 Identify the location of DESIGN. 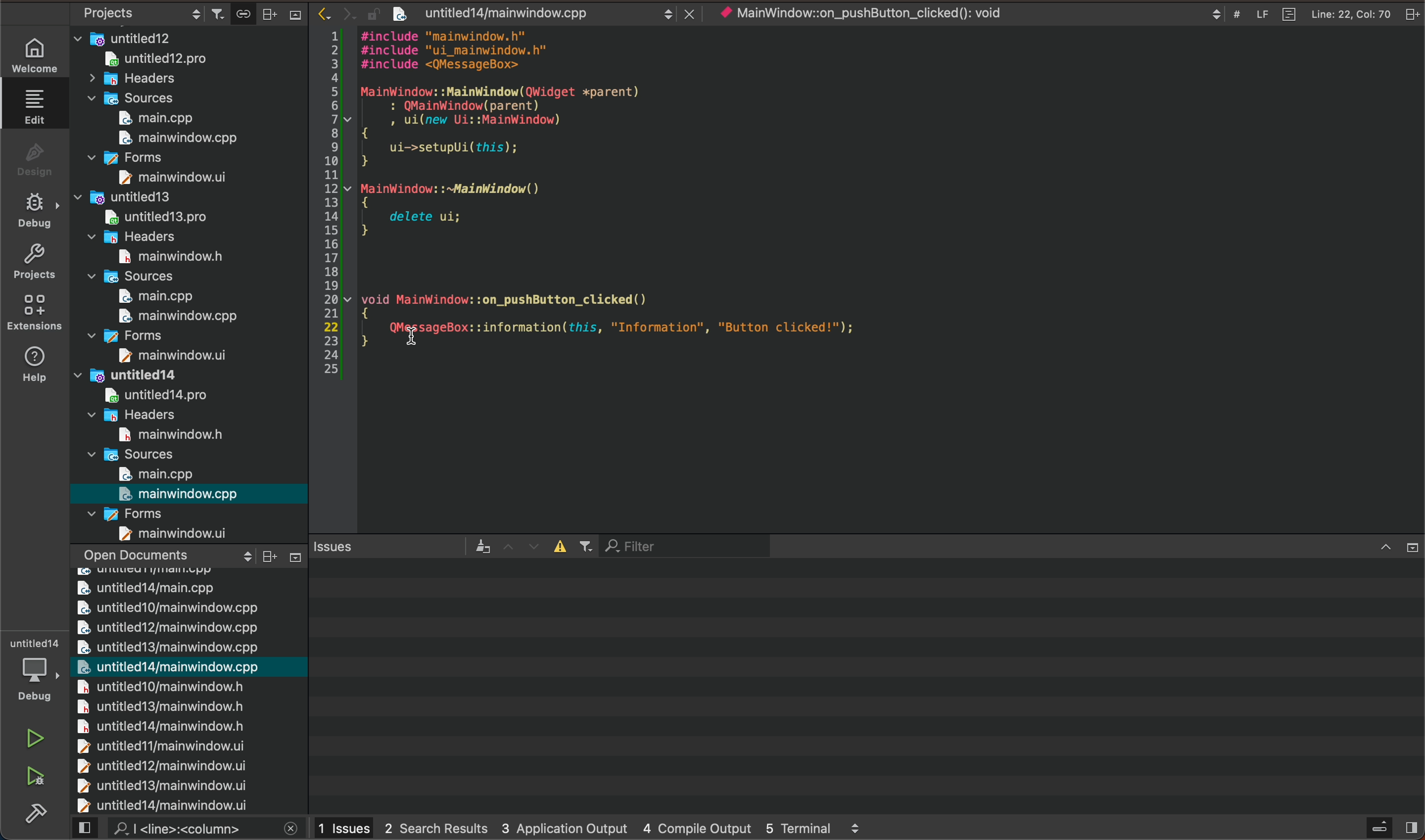
(32, 156).